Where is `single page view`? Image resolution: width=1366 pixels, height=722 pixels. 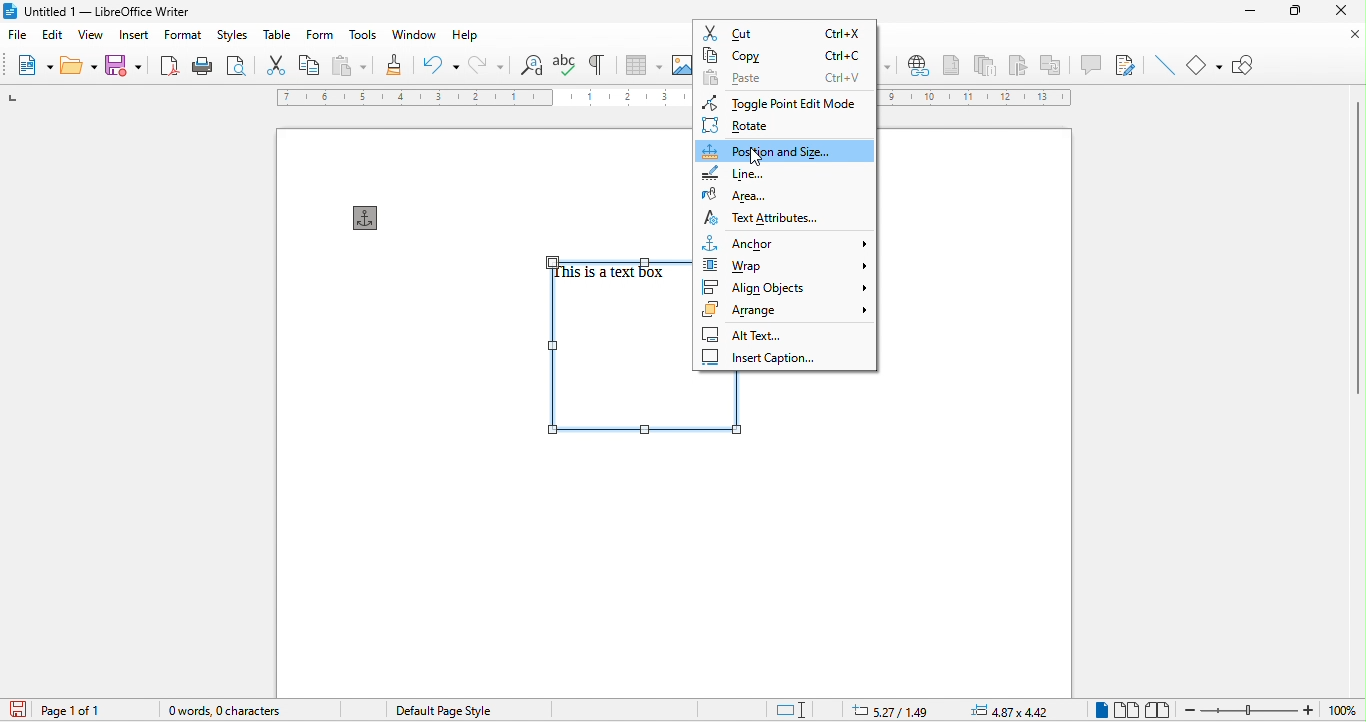
single page view is located at coordinates (1098, 711).